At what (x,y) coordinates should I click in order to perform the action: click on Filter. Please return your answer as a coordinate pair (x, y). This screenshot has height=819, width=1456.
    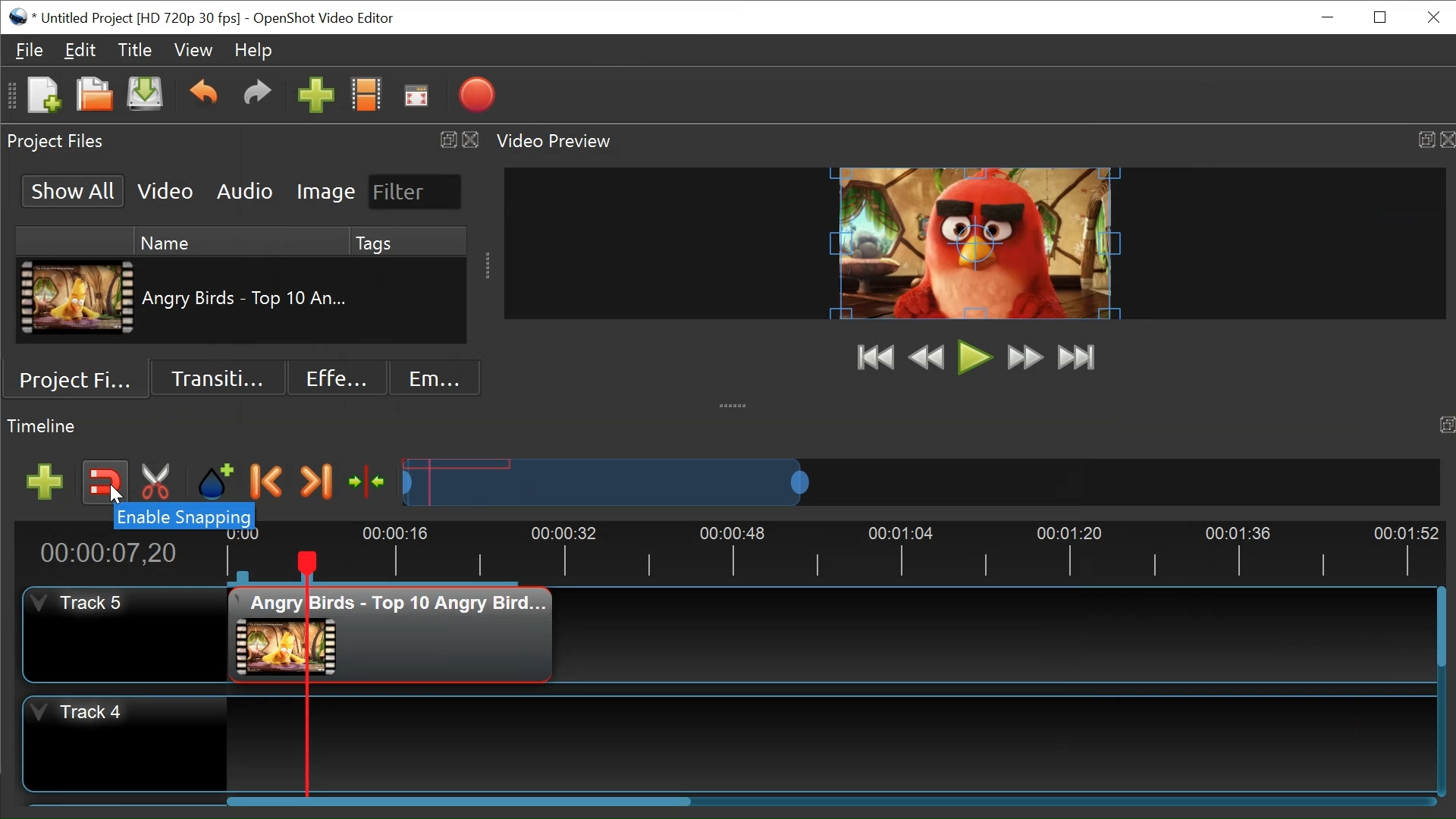
    Looking at the image, I should click on (413, 191).